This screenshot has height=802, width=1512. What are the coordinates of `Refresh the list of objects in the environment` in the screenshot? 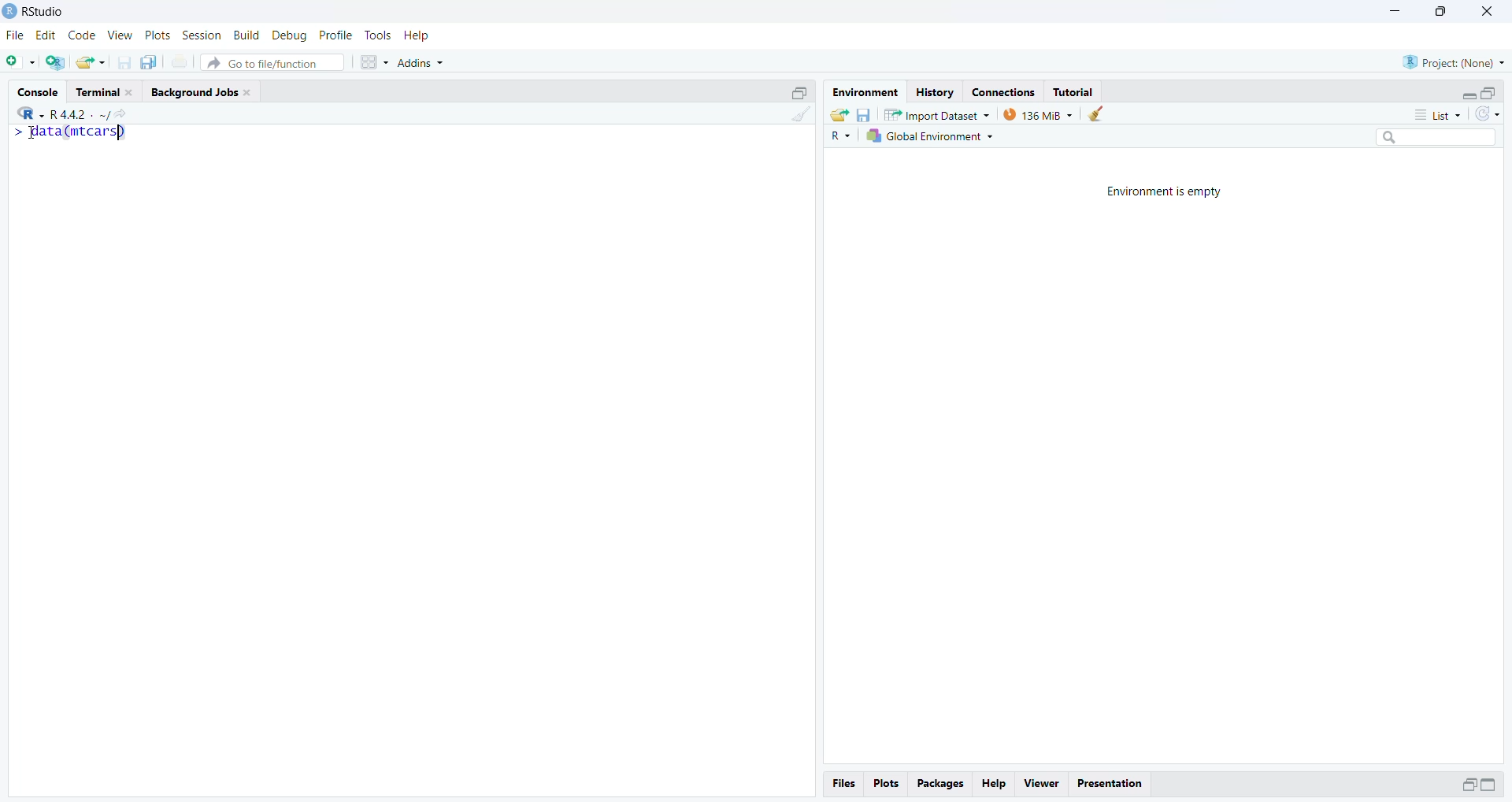 It's located at (1488, 115).